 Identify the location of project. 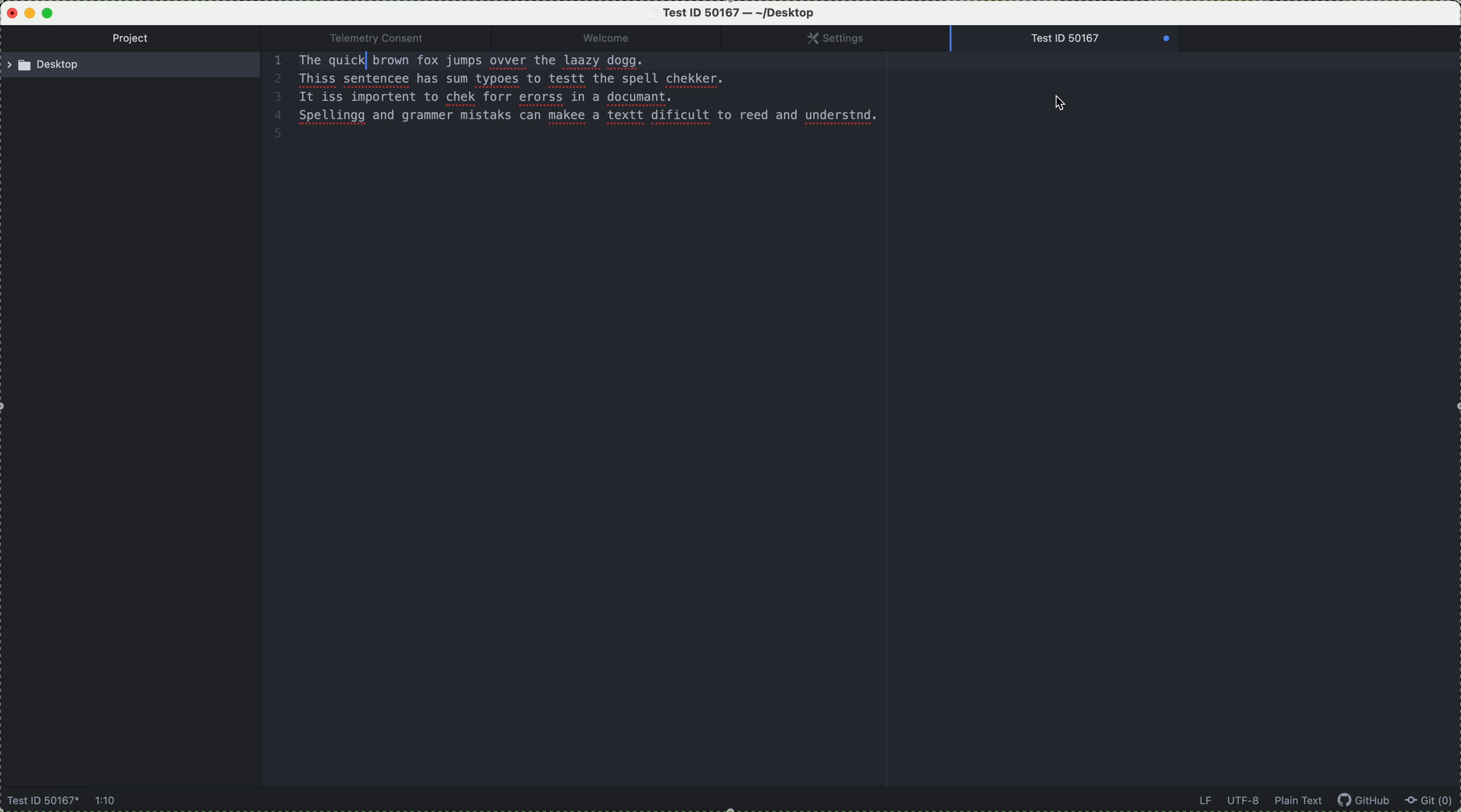
(134, 40).